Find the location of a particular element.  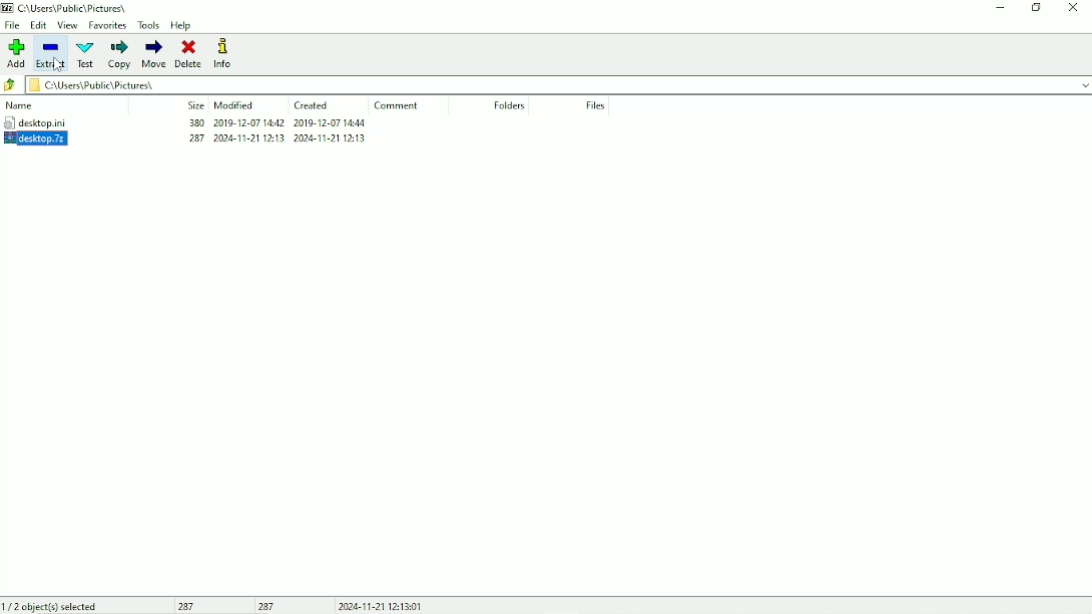

desktop.7z is located at coordinates (53, 139).